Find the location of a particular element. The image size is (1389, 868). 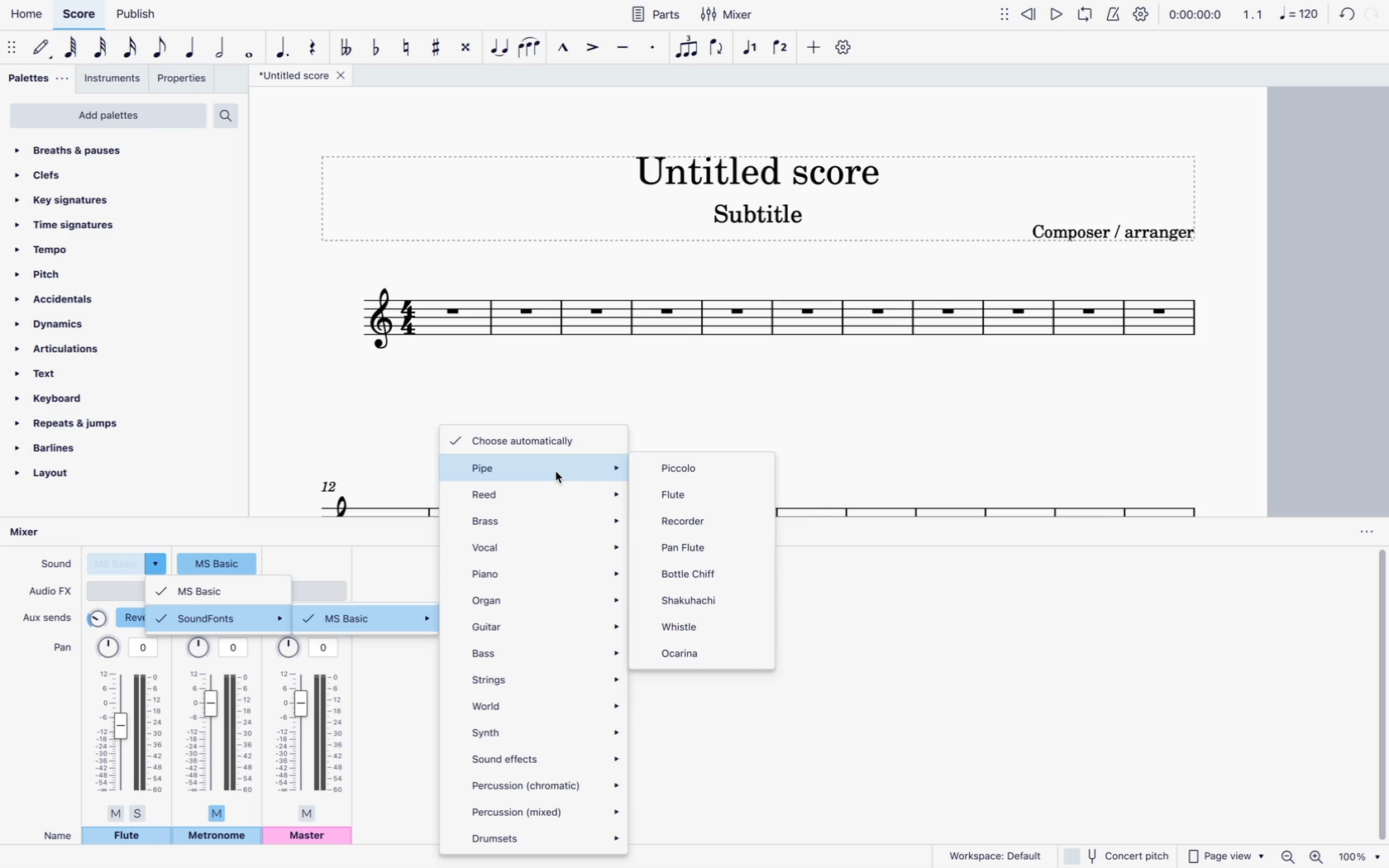

guitar is located at coordinates (545, 627).